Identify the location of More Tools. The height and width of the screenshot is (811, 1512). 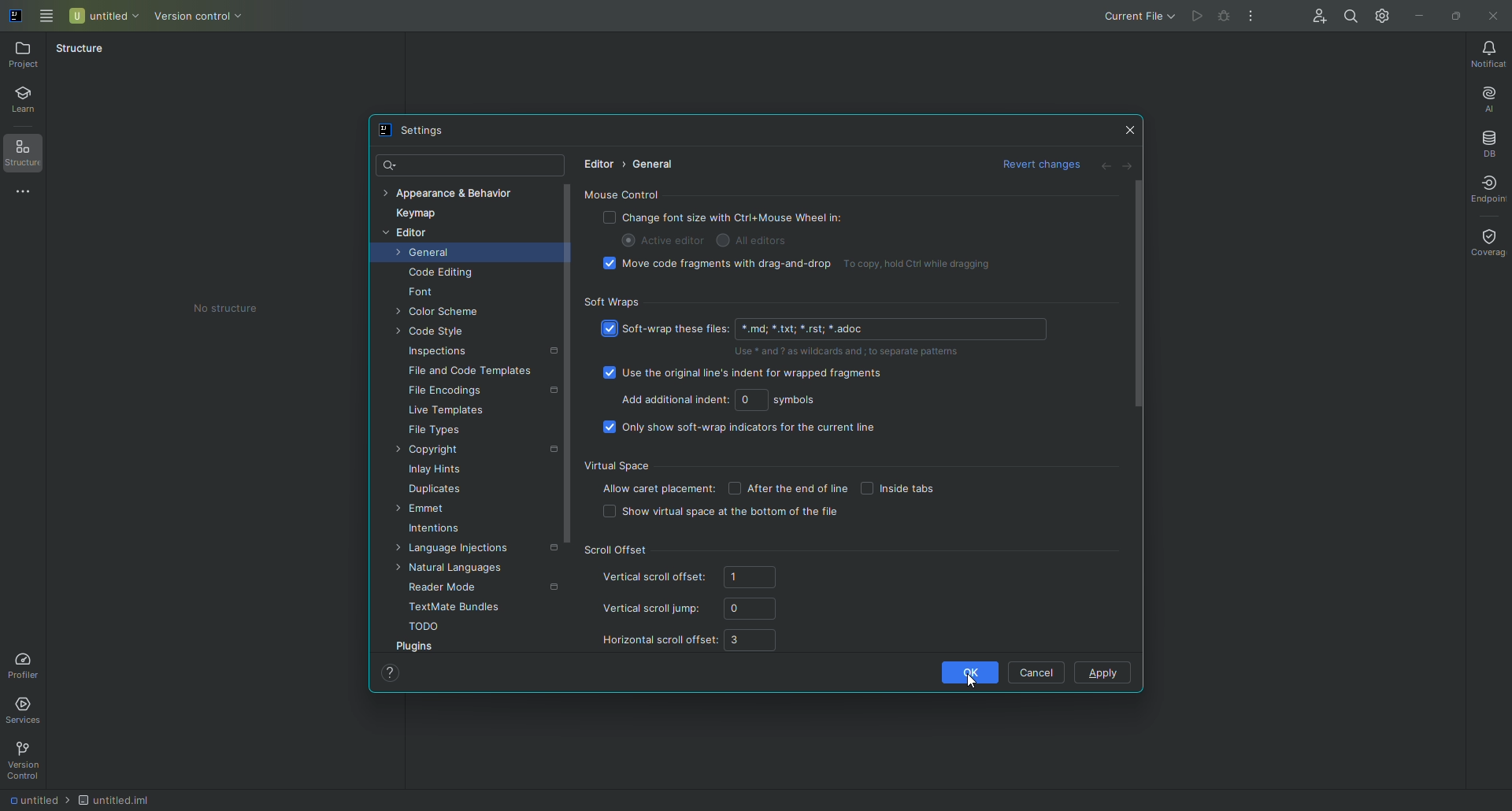
(27, 196).